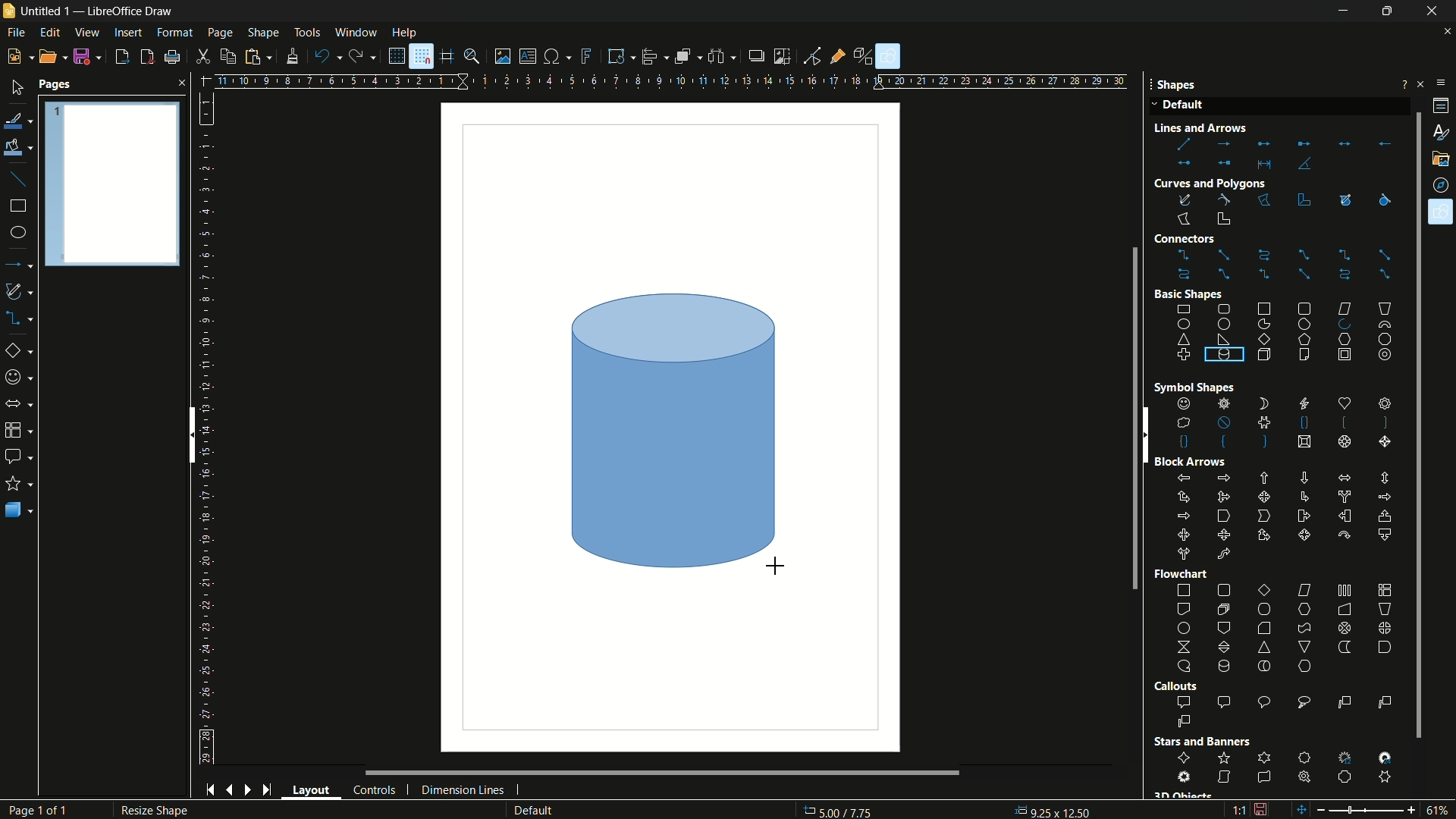 This screenshot has width=1456, height=819. Describe the element at coordinates (17, 456) in the screenshot. I see `callout shapes` at that location.